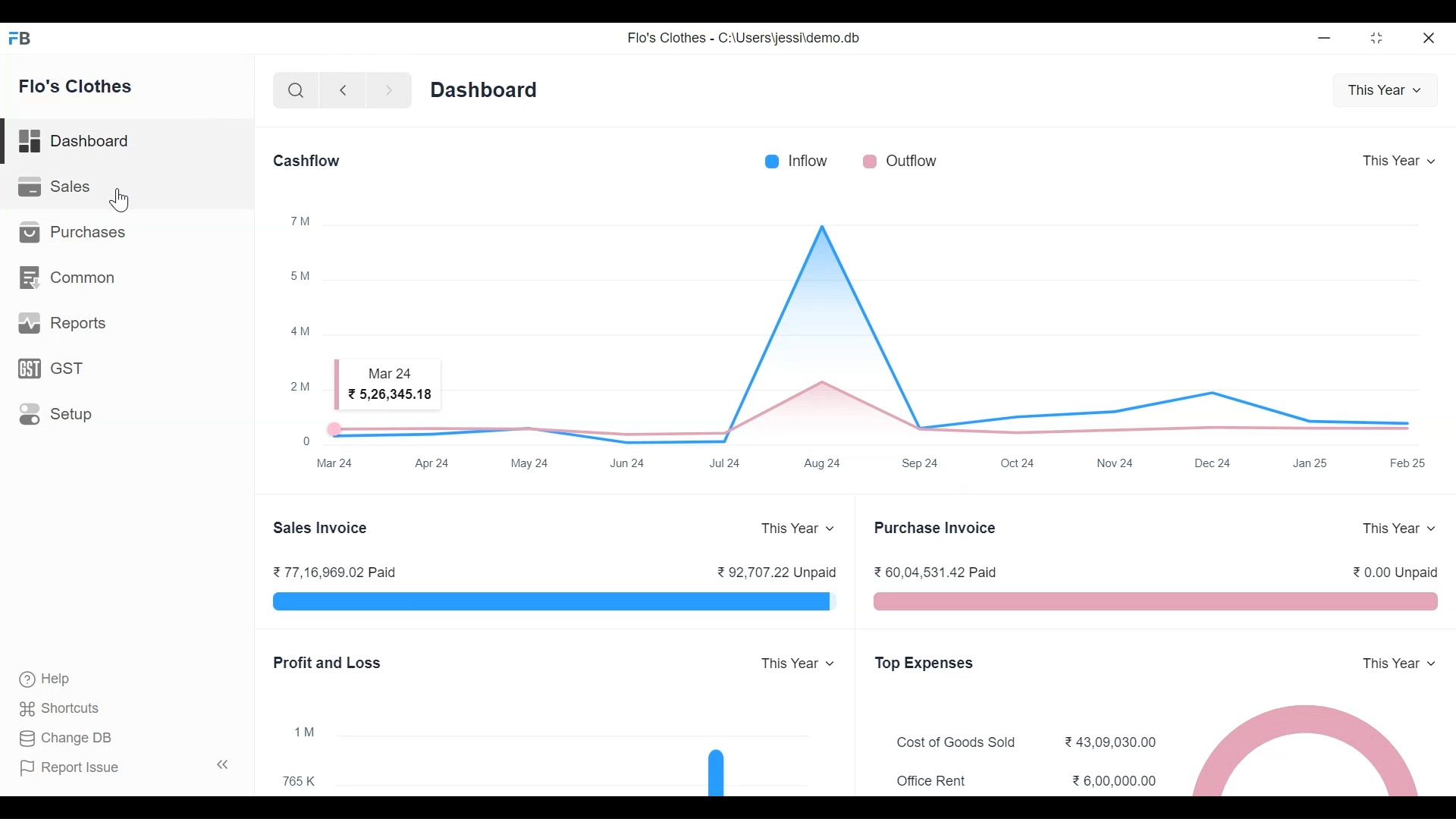  What do you see at coordinates (388, 90) in the screenshot?
I see `Navigate Forward` at bounding box center [388, 90].